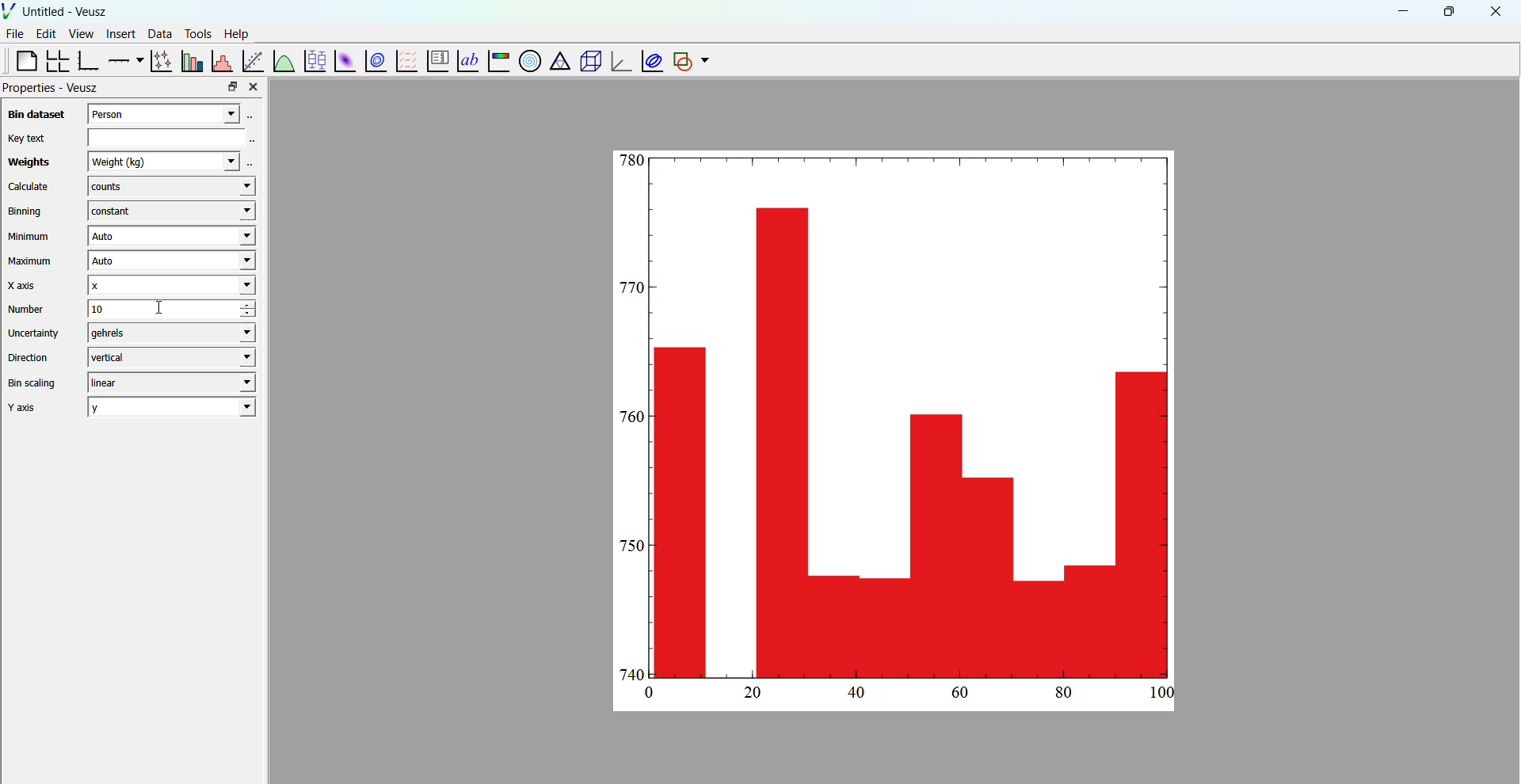 Image resolution: width=1521 pixels, height=784 pixels. Describe the element at coordinates (88, 61) in the screenshot. I see `base graph` at that location.